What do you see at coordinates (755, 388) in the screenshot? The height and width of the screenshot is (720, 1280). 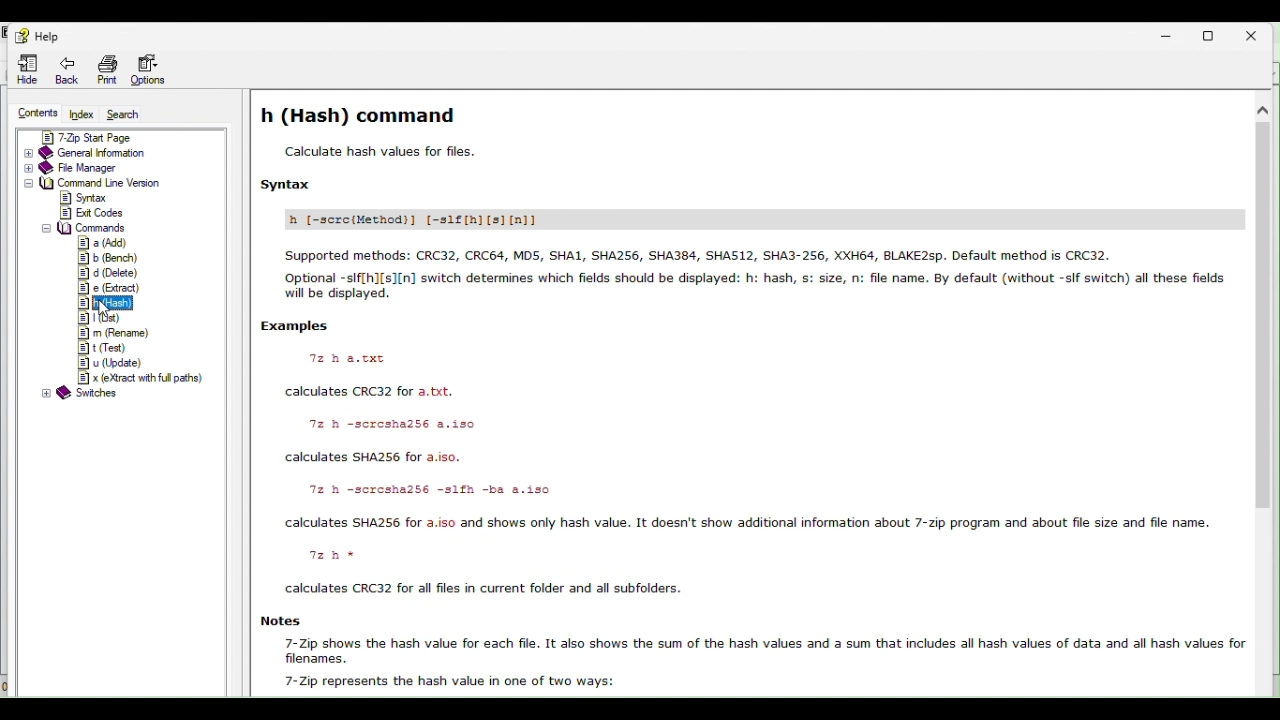 I see `h(hash command ) help page` at bounding box center [755, 388].